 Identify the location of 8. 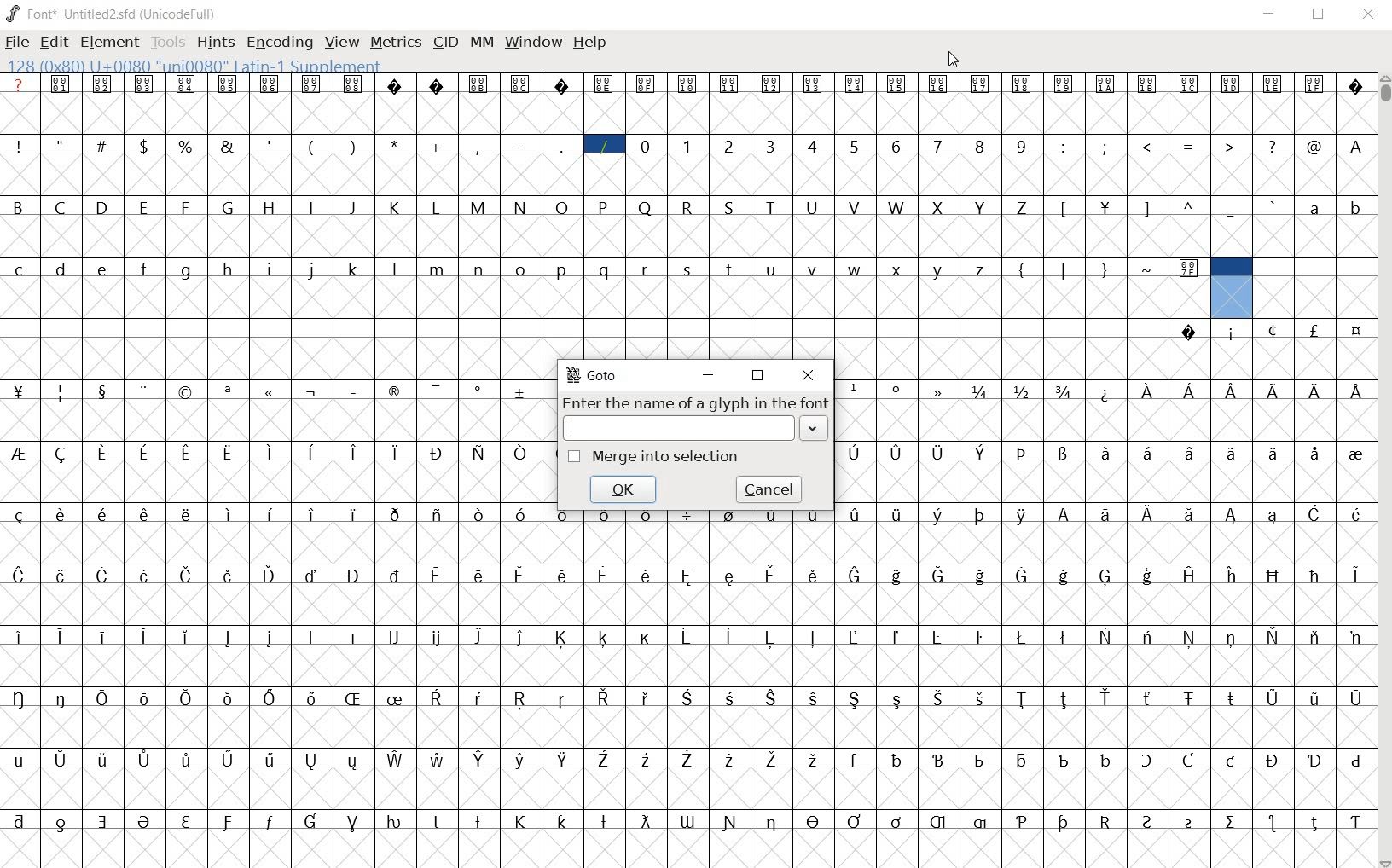
(982, 146).